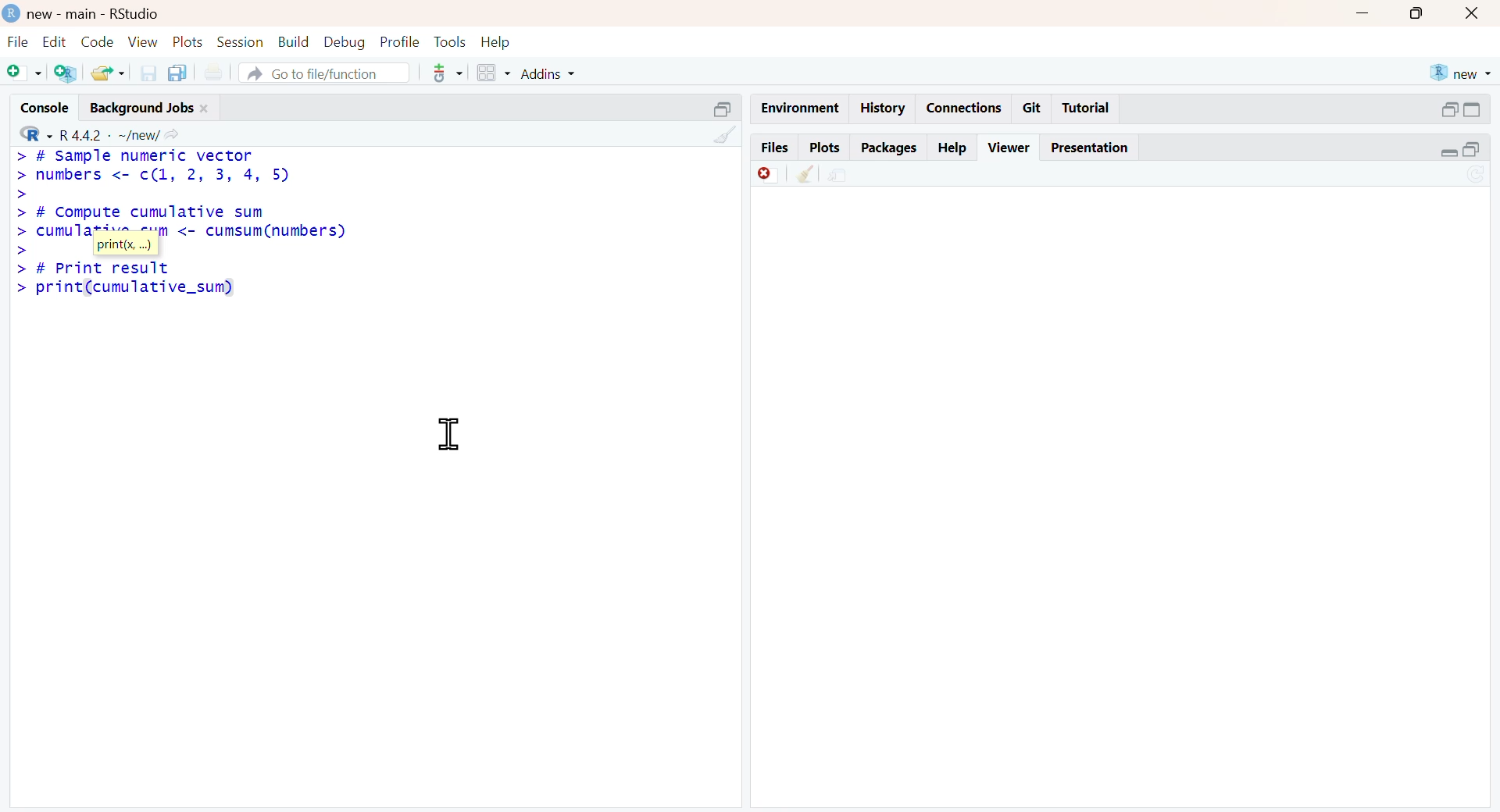 The image size is (1500, 812). I want to click on open in separate window, so click(724, 109).